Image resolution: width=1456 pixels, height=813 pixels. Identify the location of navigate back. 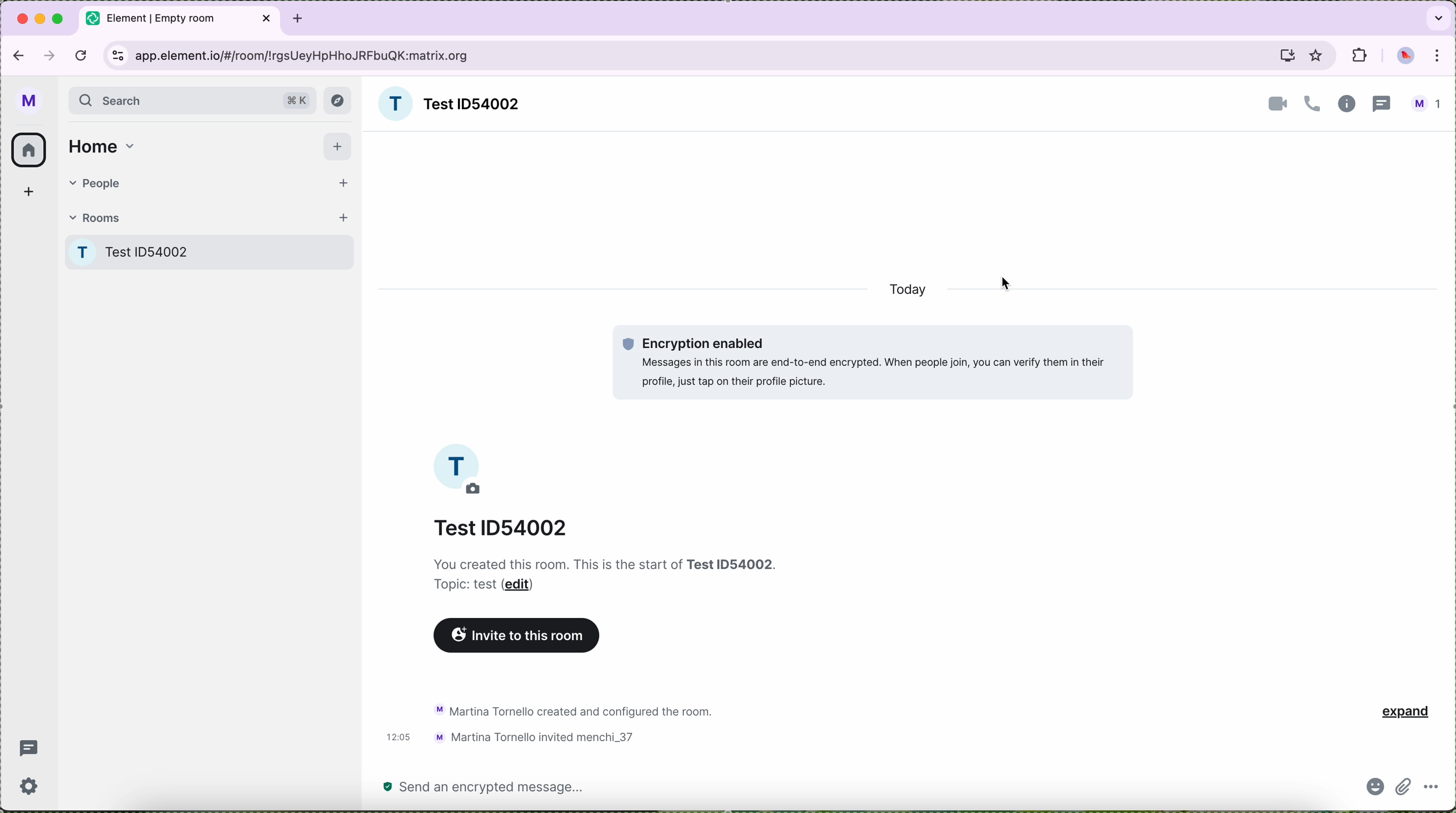
(16, 56).